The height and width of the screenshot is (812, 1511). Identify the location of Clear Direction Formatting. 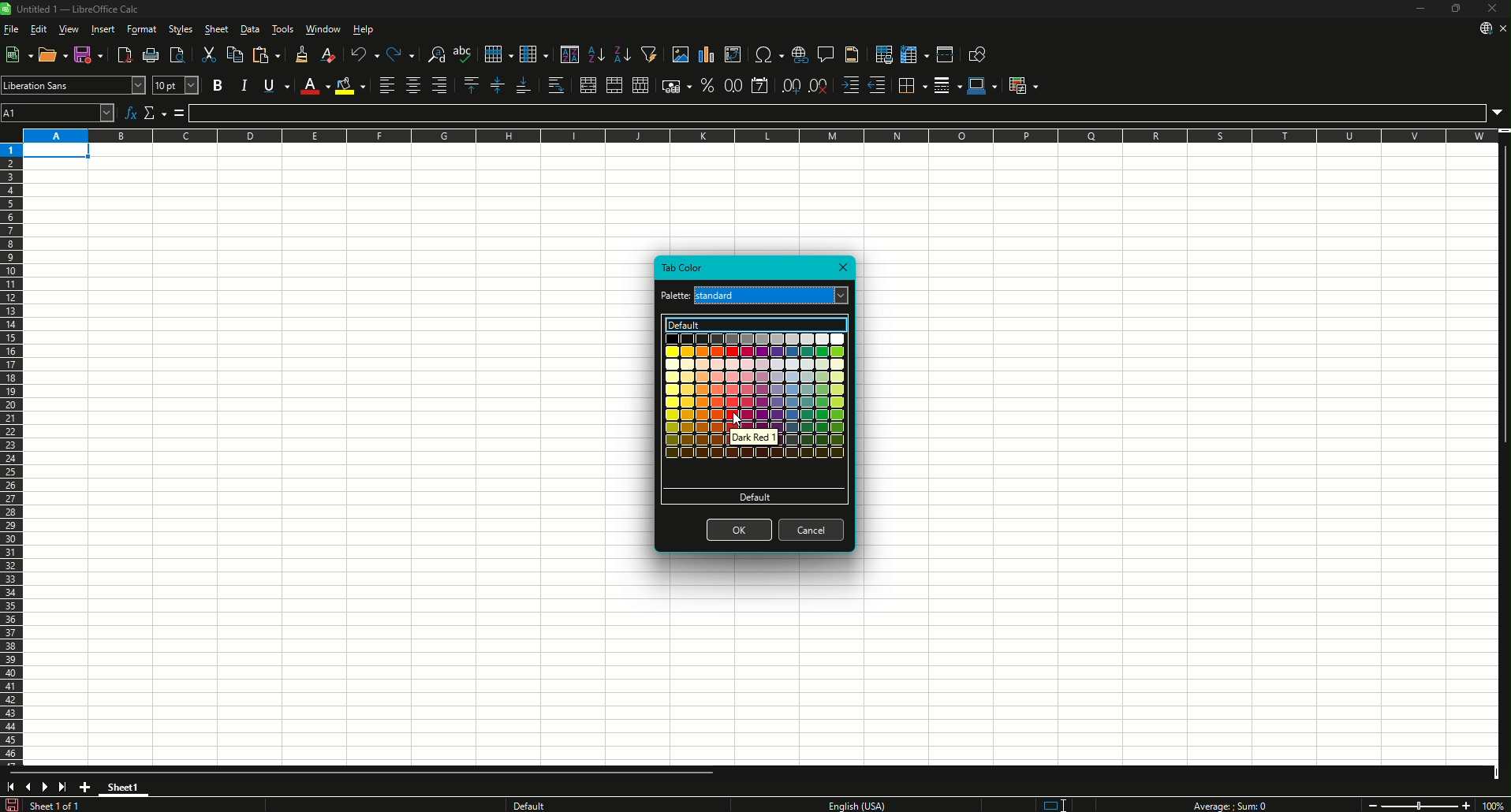
(329, 54).